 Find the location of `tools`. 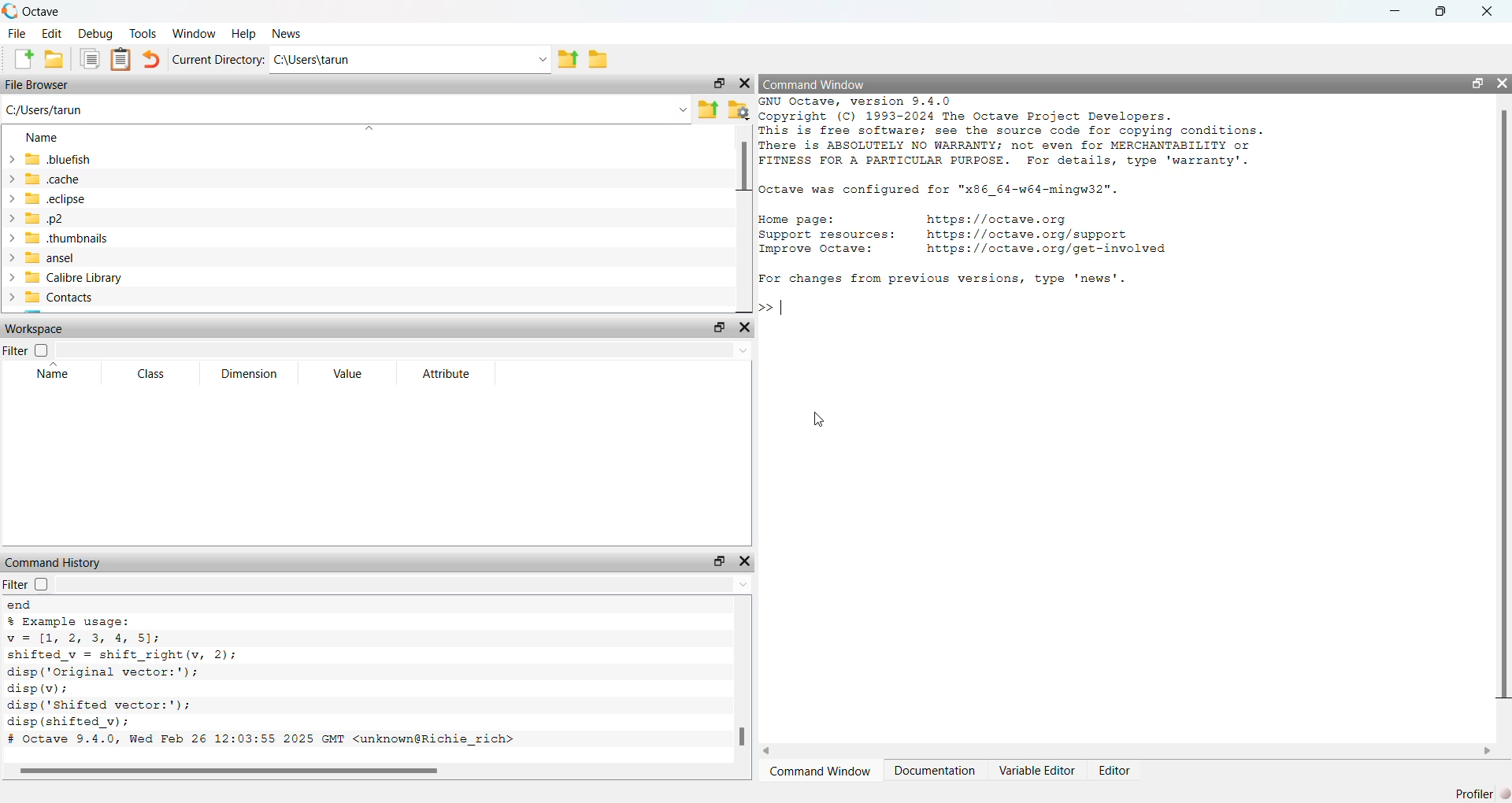

tools is located at coordinates (142, 34).